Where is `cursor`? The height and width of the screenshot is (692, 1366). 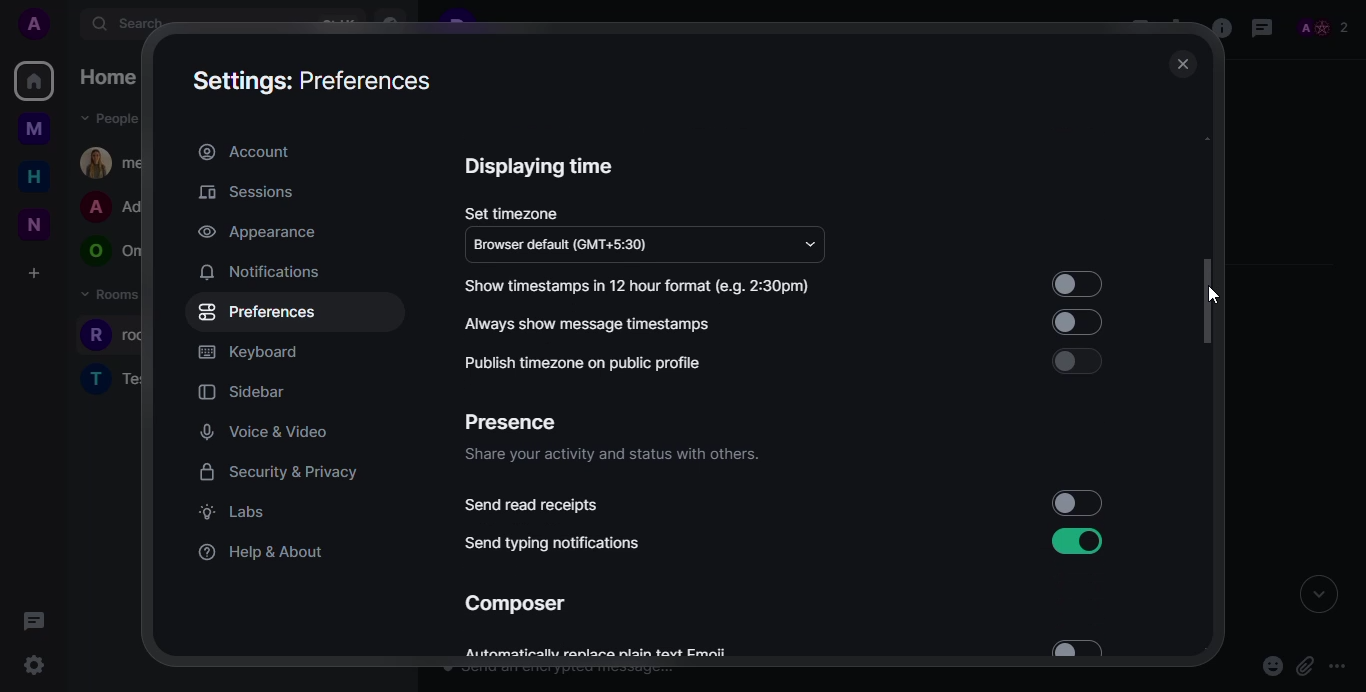
cursor is located at coordinates (1209, 292).